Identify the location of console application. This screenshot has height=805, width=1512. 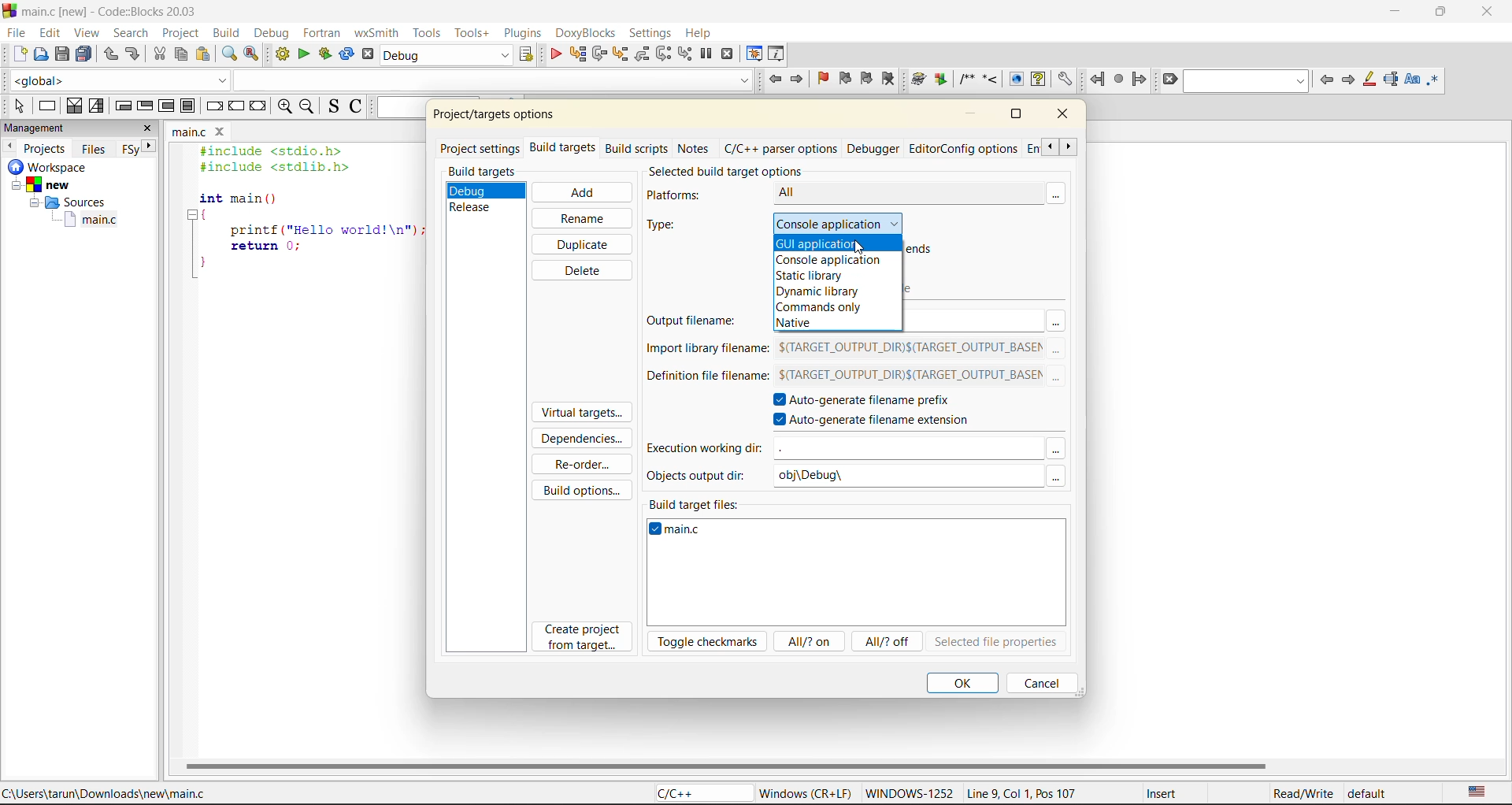
(836, 223).